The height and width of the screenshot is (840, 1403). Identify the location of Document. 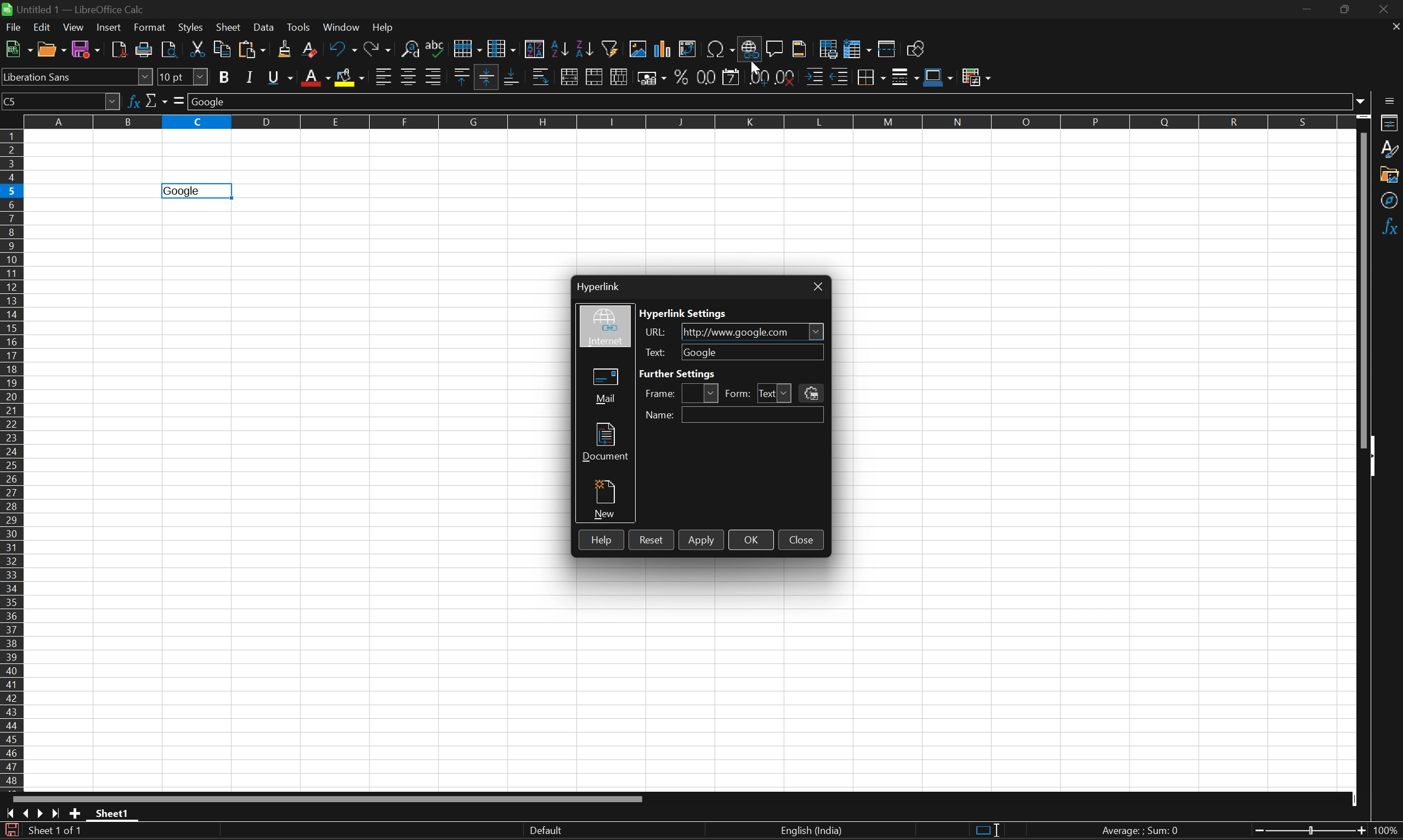
(606, 442).